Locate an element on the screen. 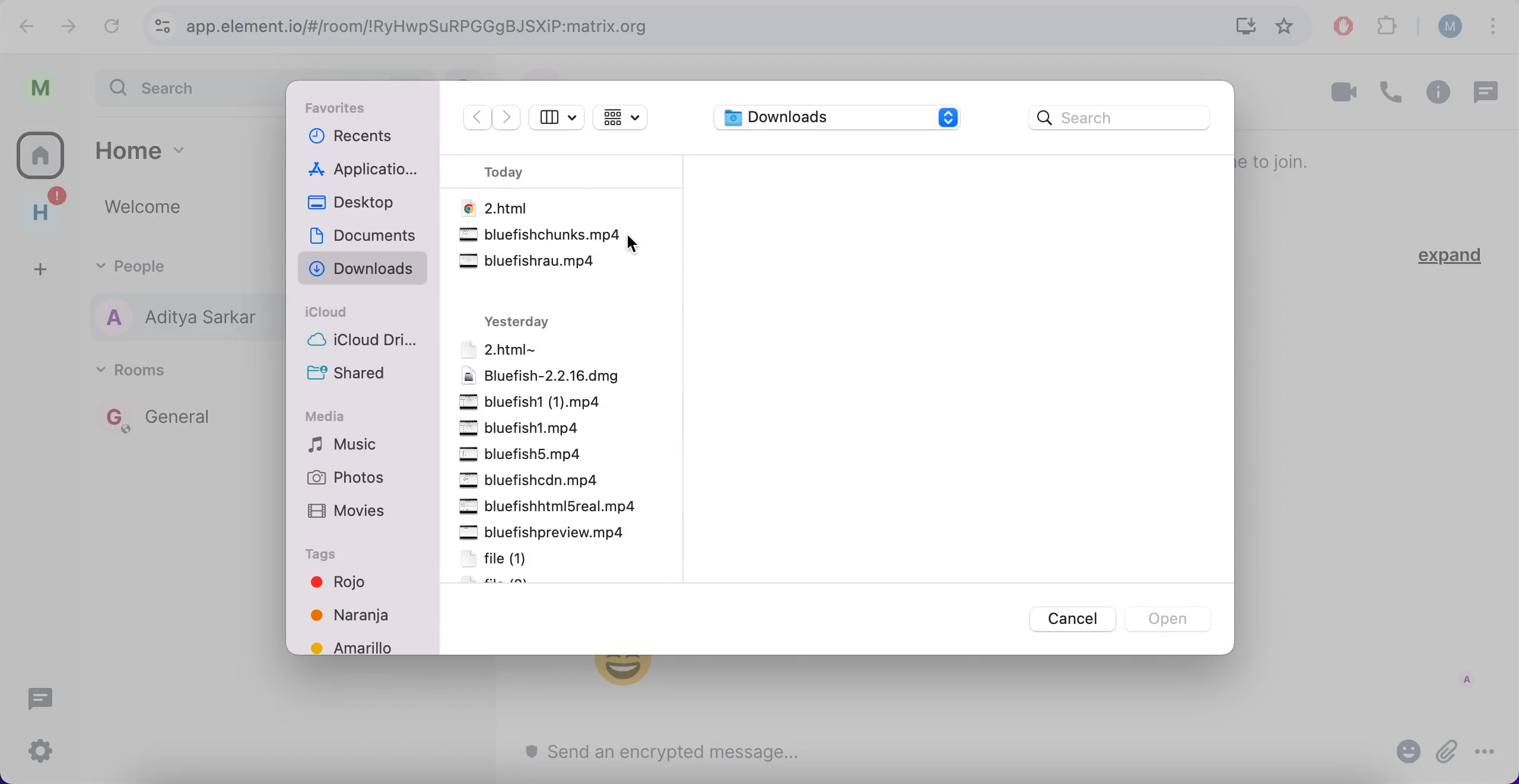  file is located at coordinates (539, 375).